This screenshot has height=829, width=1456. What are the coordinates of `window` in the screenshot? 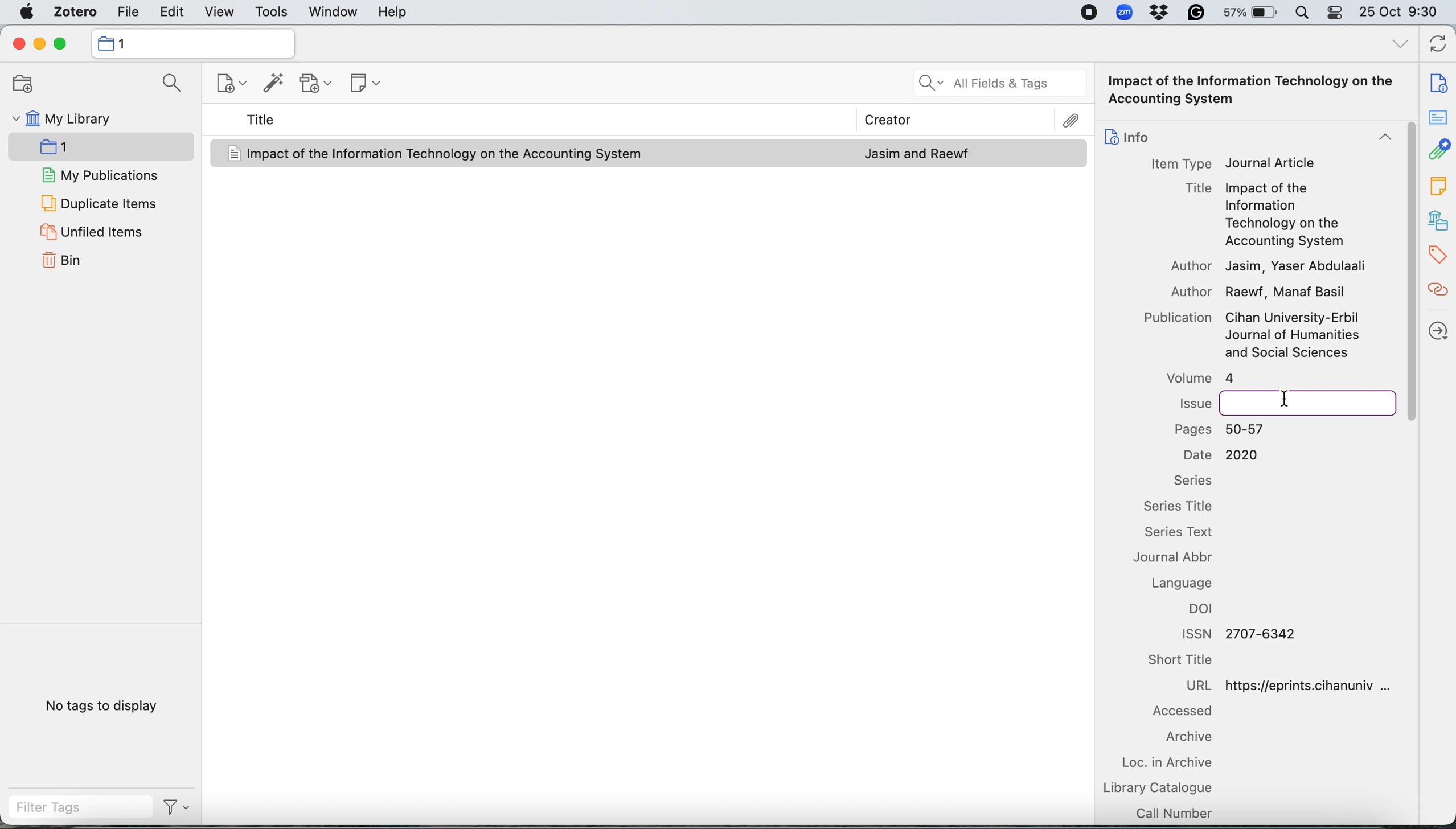 It's located at (333, 12).